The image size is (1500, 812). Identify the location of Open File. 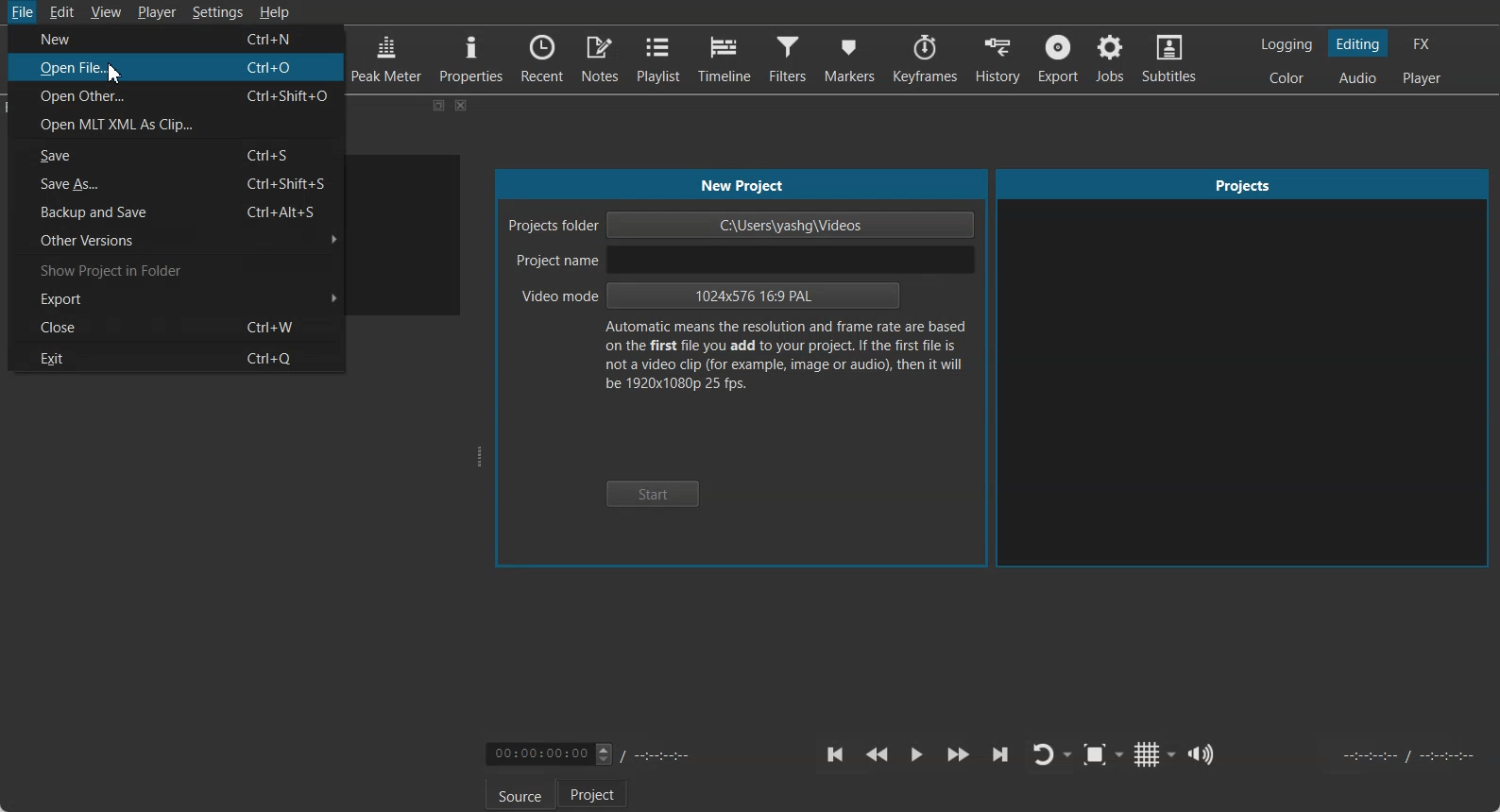
(178, 68).